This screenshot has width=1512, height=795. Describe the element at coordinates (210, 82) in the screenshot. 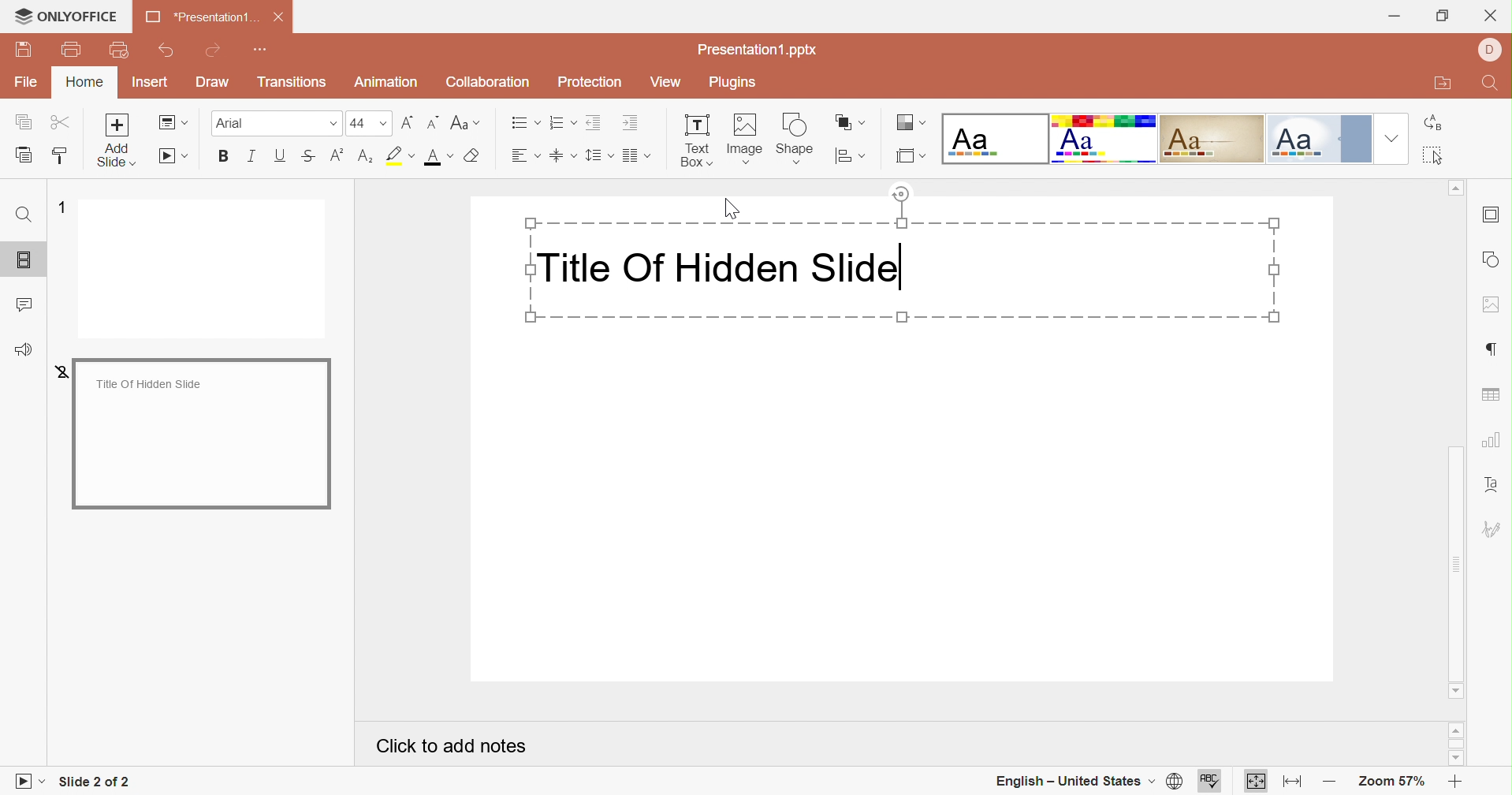

I see `Draw` at that location.